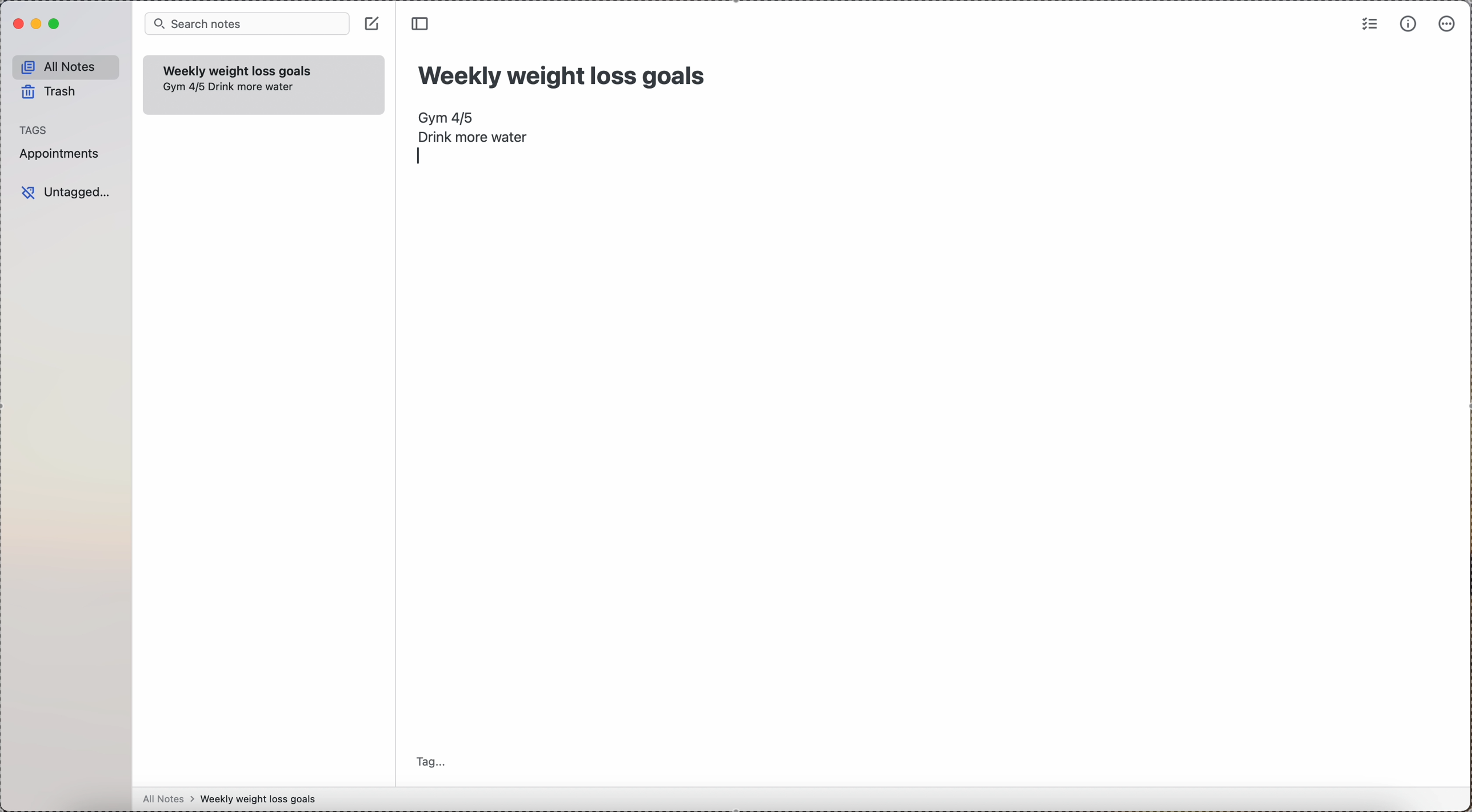 The width and height of the screenshot is (1472, 812). Describe the element at coordinates (18, 23) in the screenshot. I see `close Simplenote` at that location.